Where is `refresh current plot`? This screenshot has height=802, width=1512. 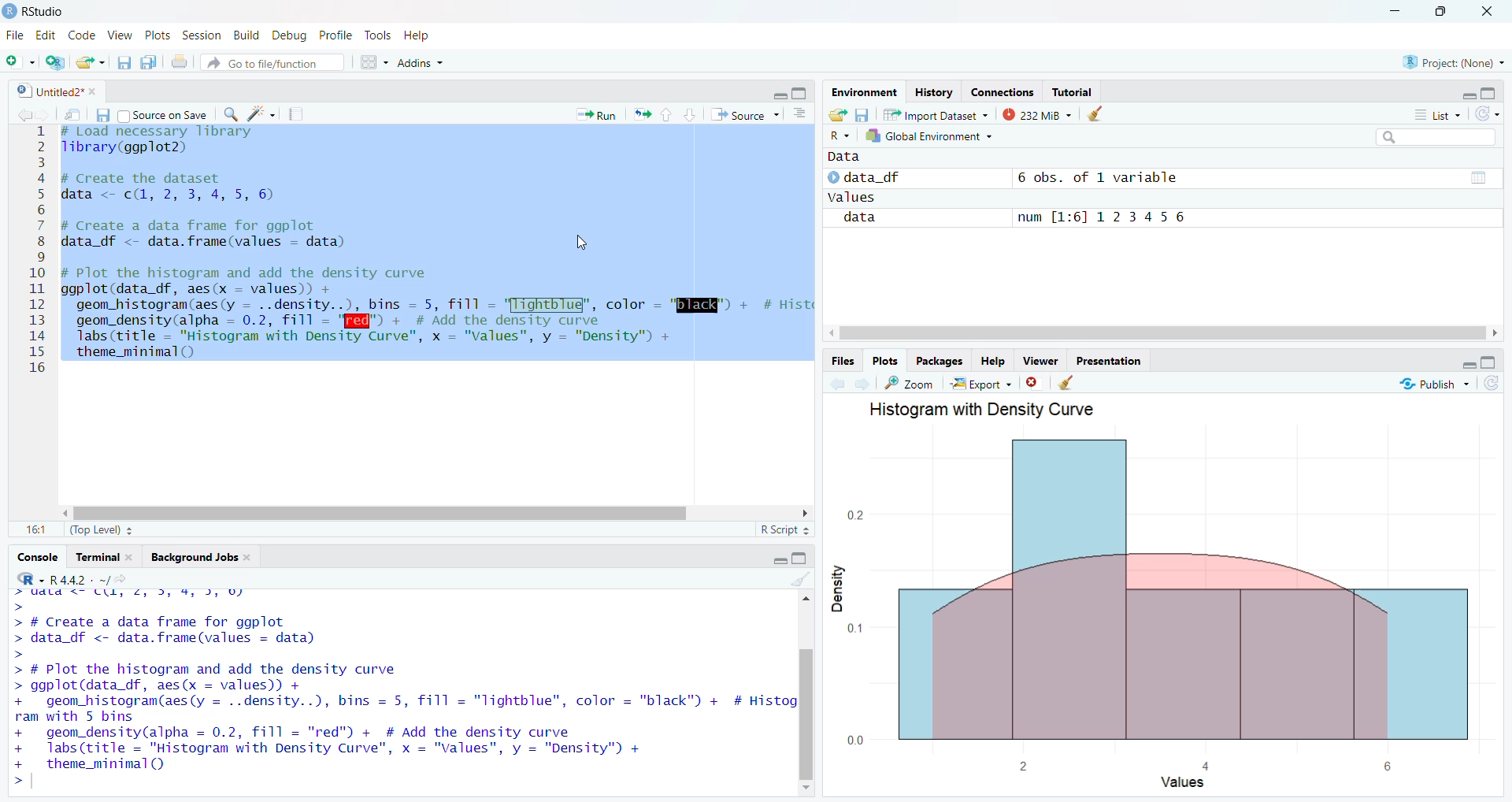
refresh current plot is located at coordinates (1494, 383).